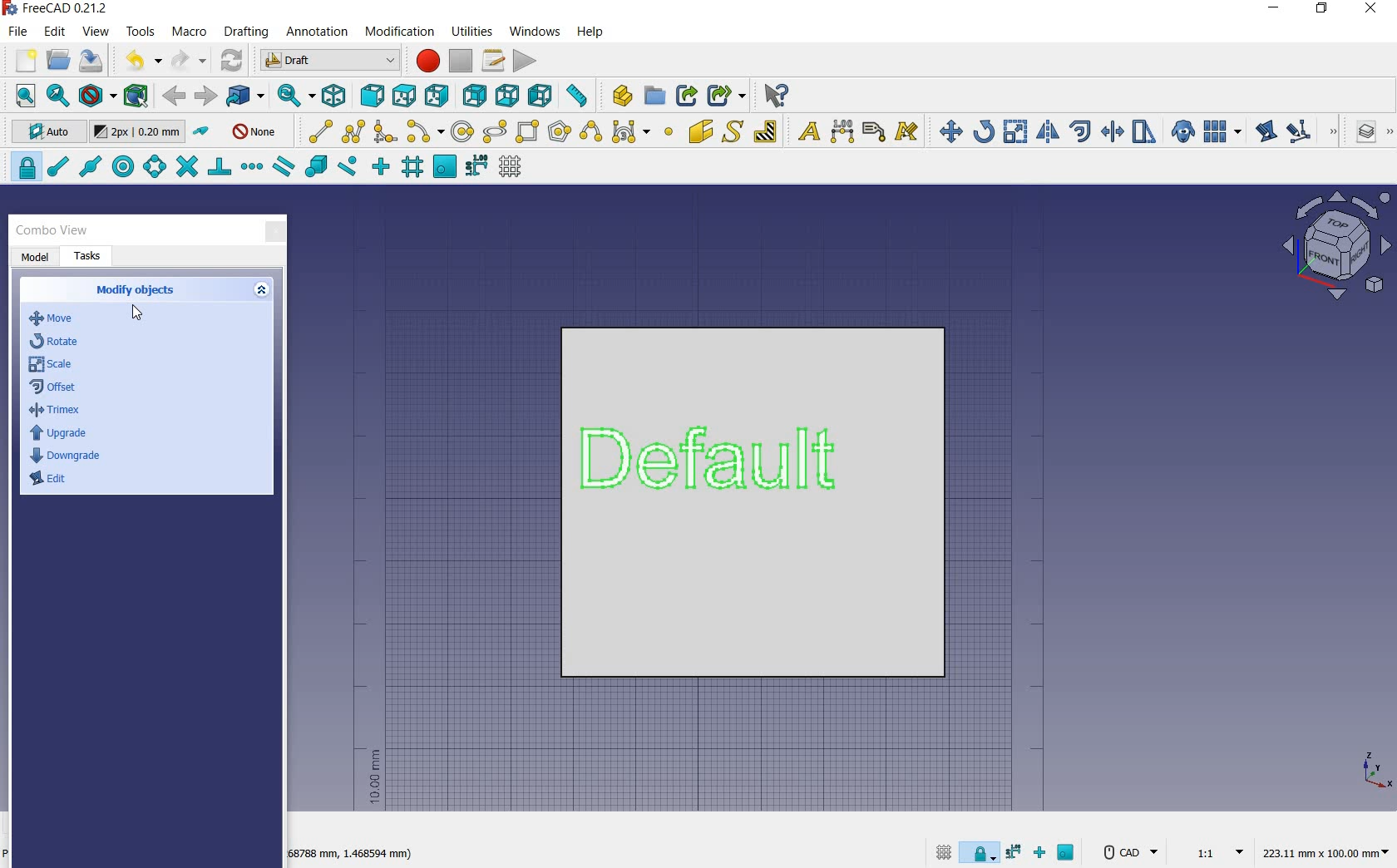 The width and height of the screenshot is (1397, 868). Describe the element at coordinates (1068, 855) in the screenshot. I see `snap working plane` at that location.